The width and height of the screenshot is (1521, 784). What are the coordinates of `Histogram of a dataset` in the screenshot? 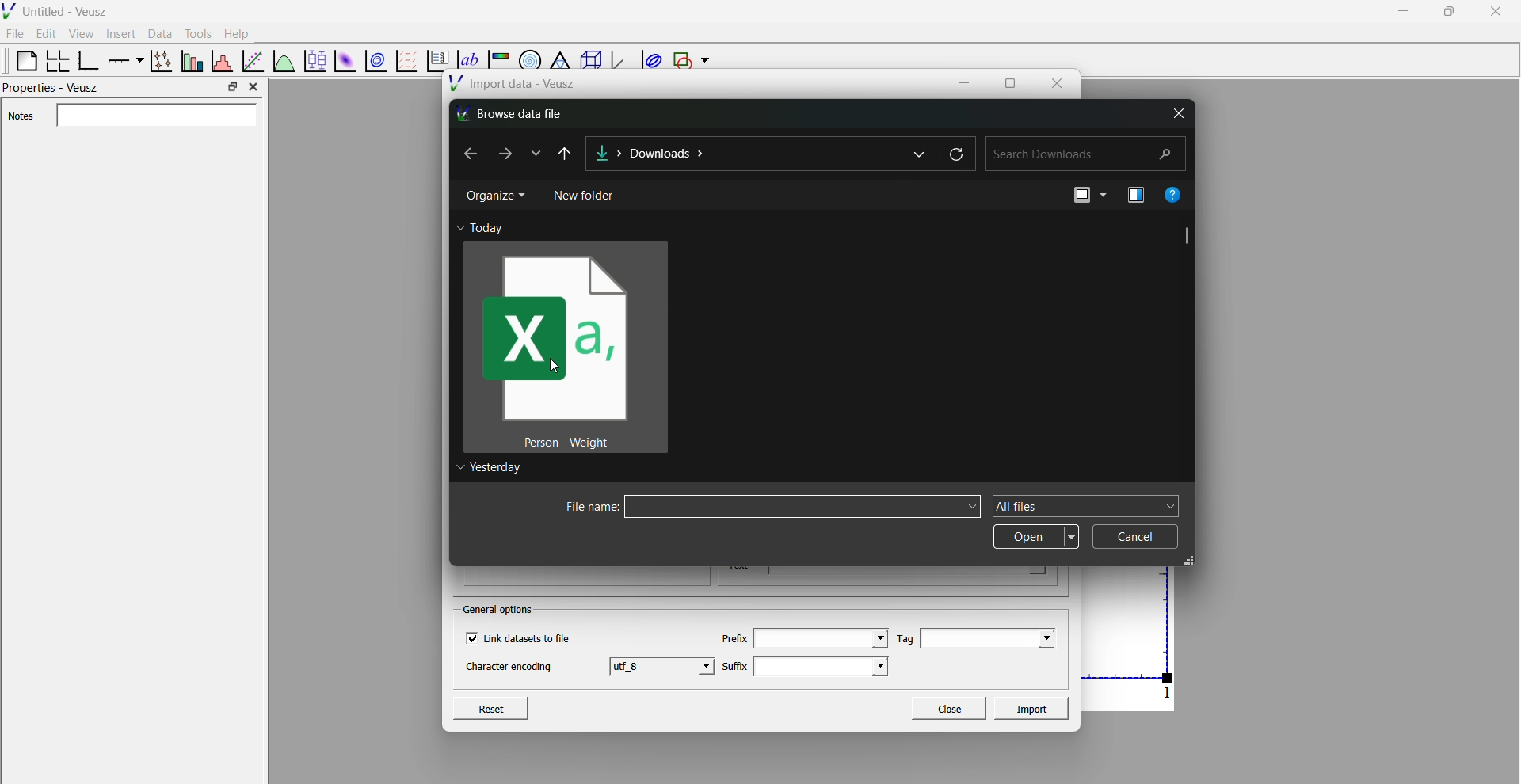 It's located at (221, 59).